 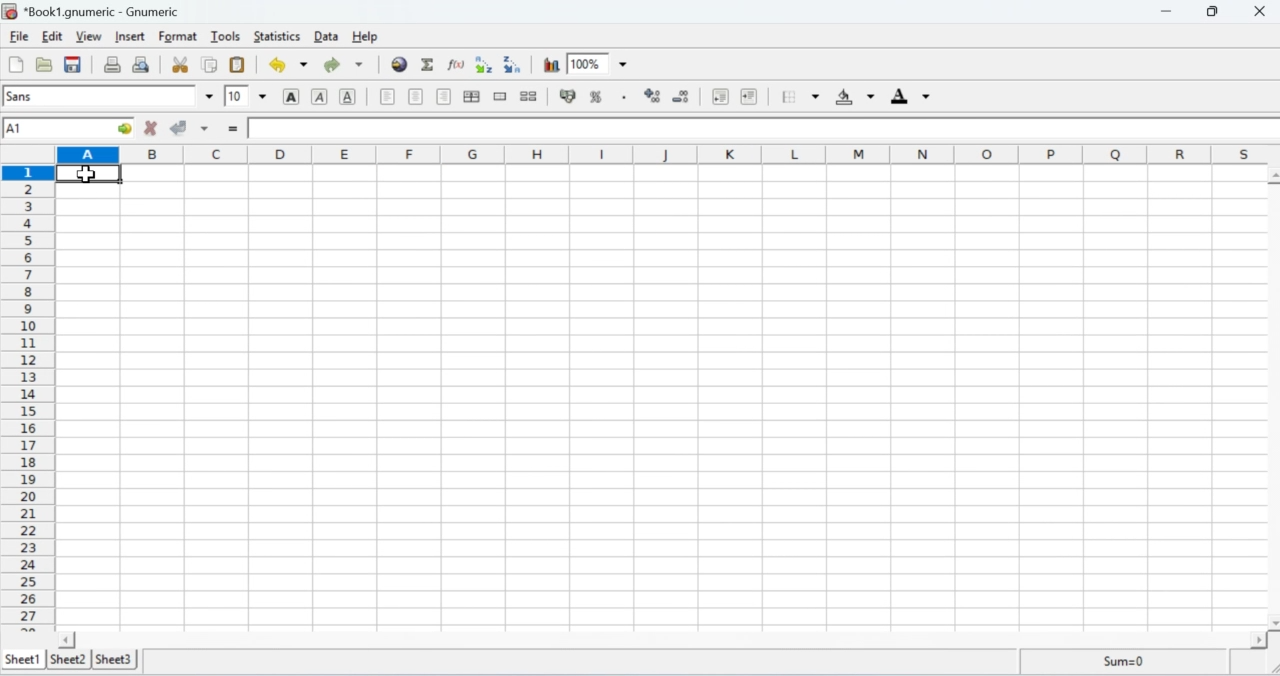 I want to click on Edit, so click(x=53, y=35).